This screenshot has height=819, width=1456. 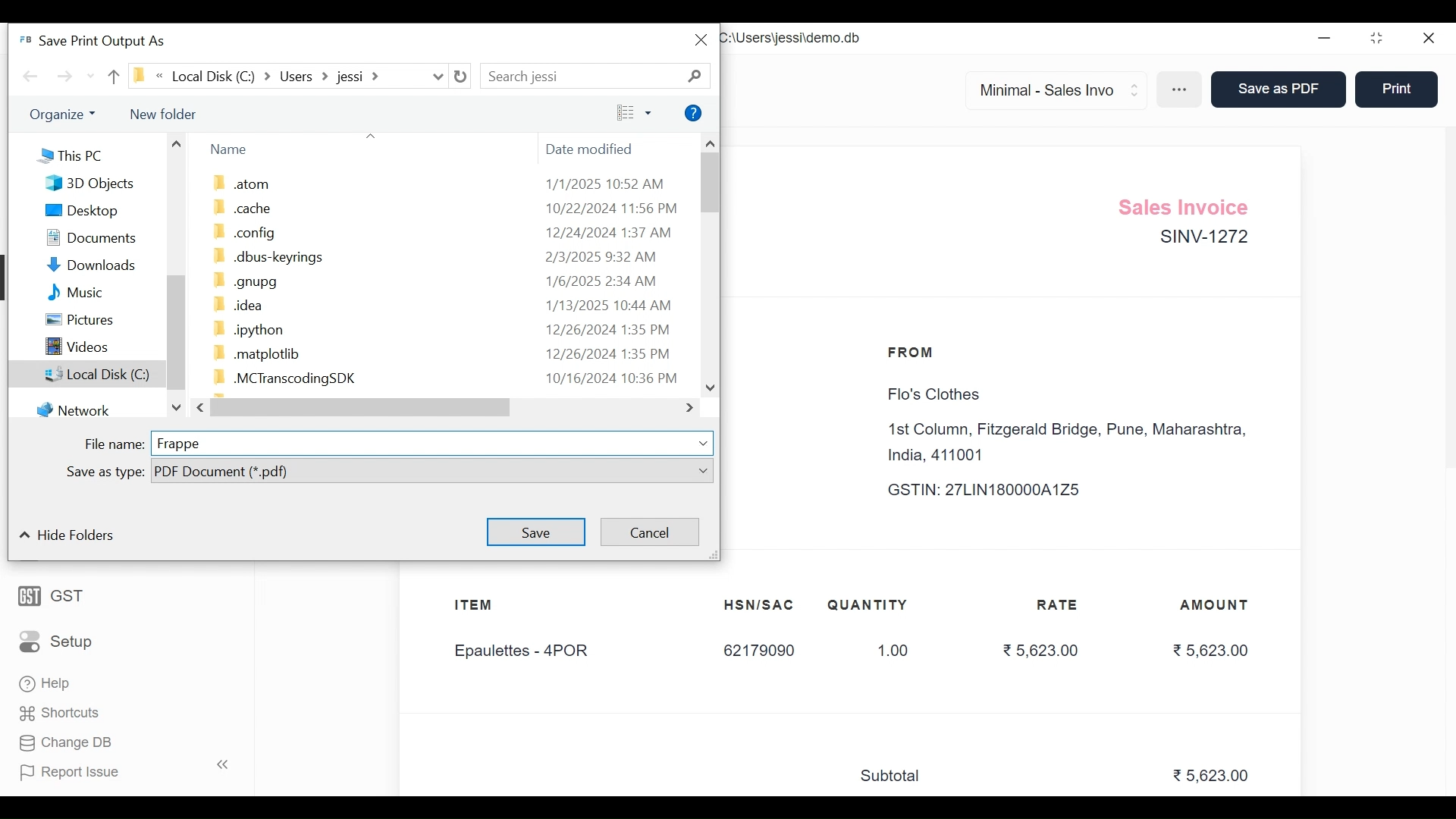 I want to click on .idea, so click(x=234, y=305).